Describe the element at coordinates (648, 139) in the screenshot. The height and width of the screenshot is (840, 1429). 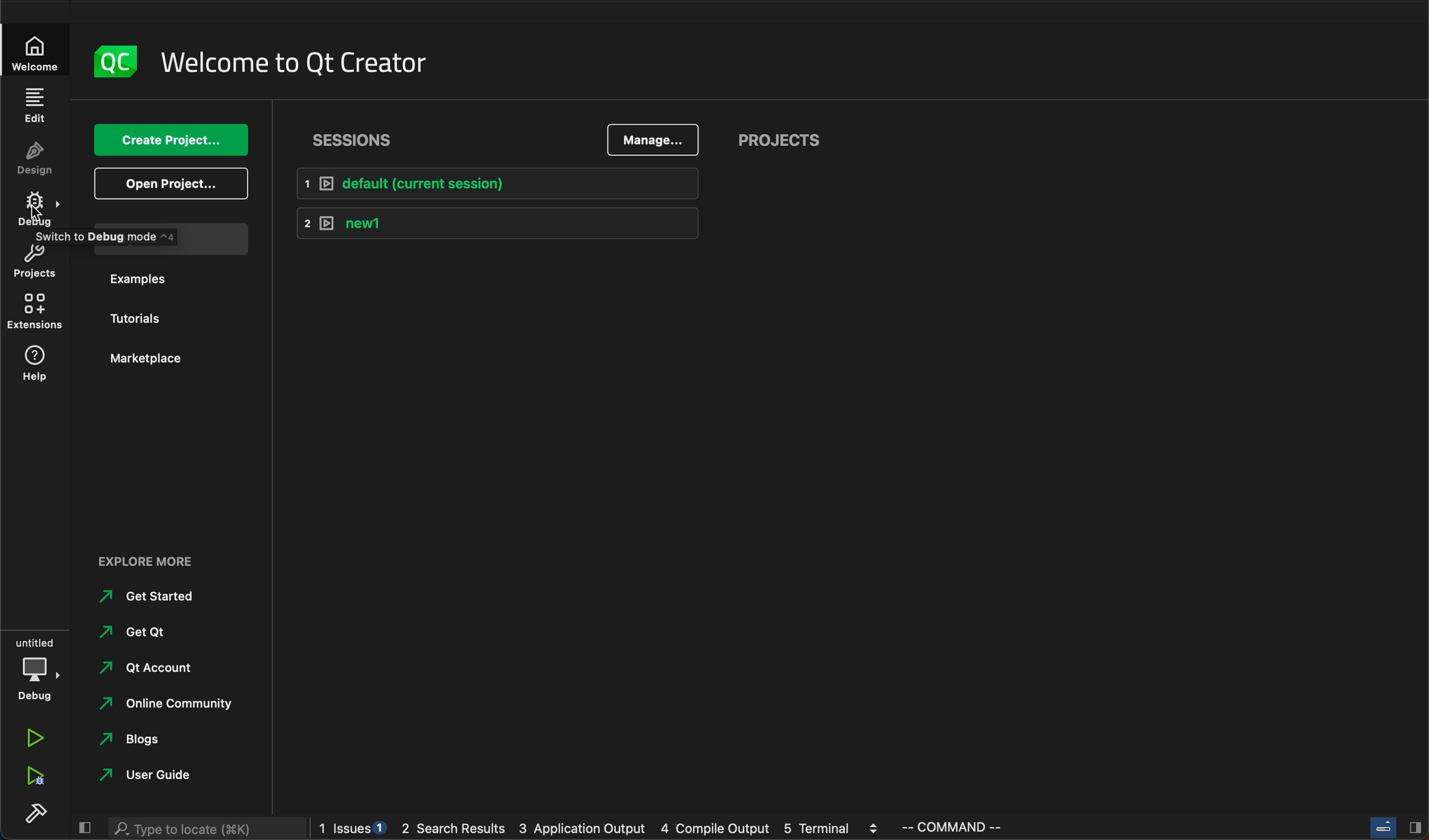
I see `manage` at that location.